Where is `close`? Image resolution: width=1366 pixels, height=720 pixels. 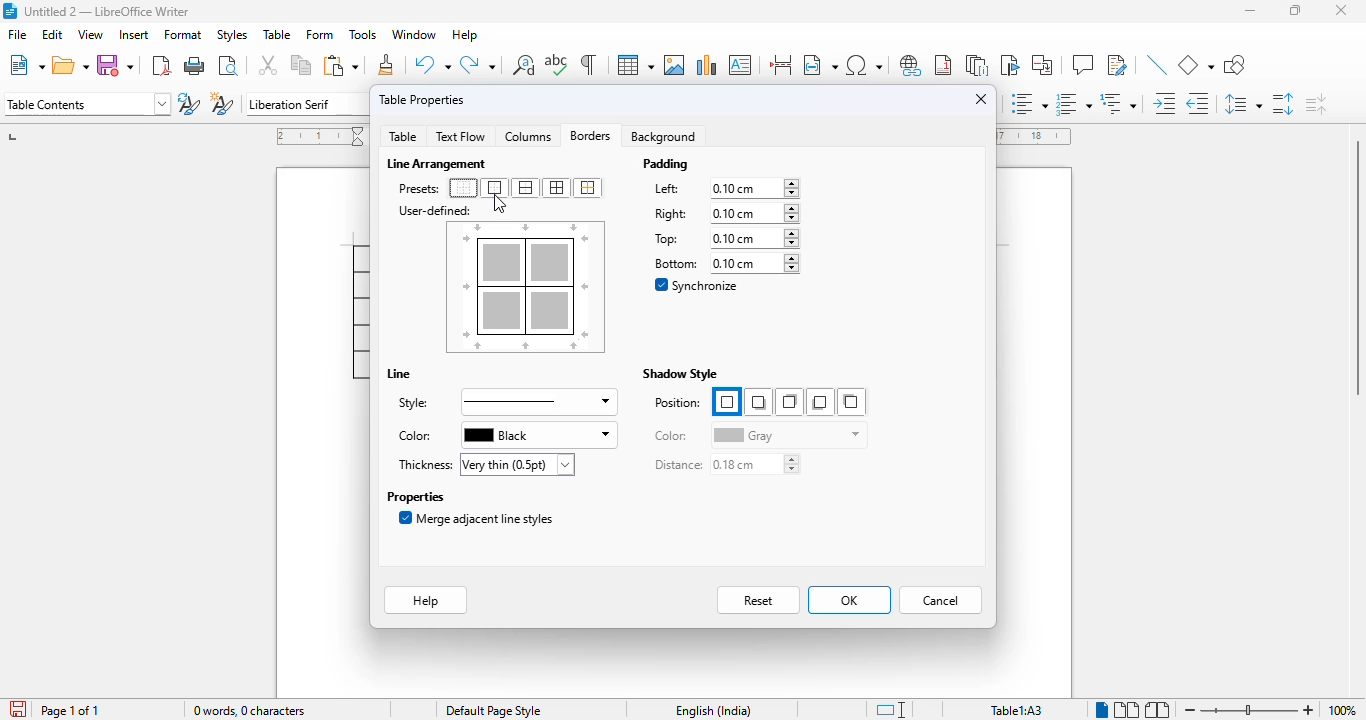
close is located at coordinates (983, 99).